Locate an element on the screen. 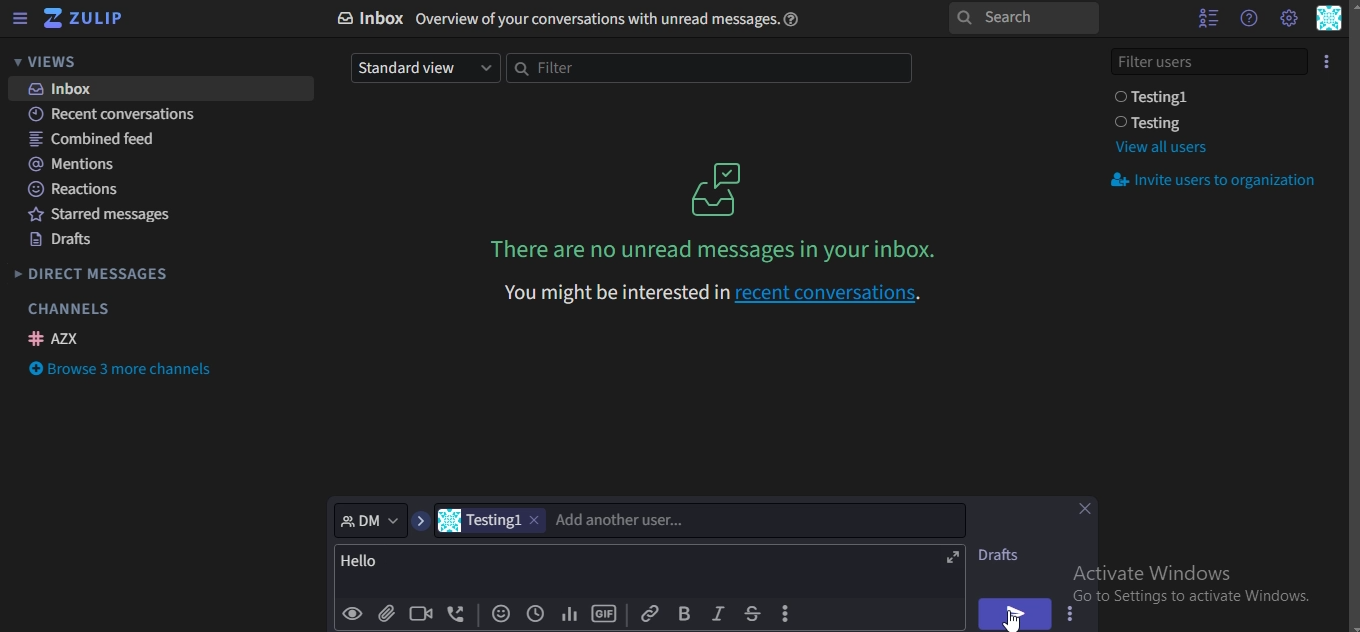 This screenshot has width=1360, height=632. close is located at coordinates (1089, 511).